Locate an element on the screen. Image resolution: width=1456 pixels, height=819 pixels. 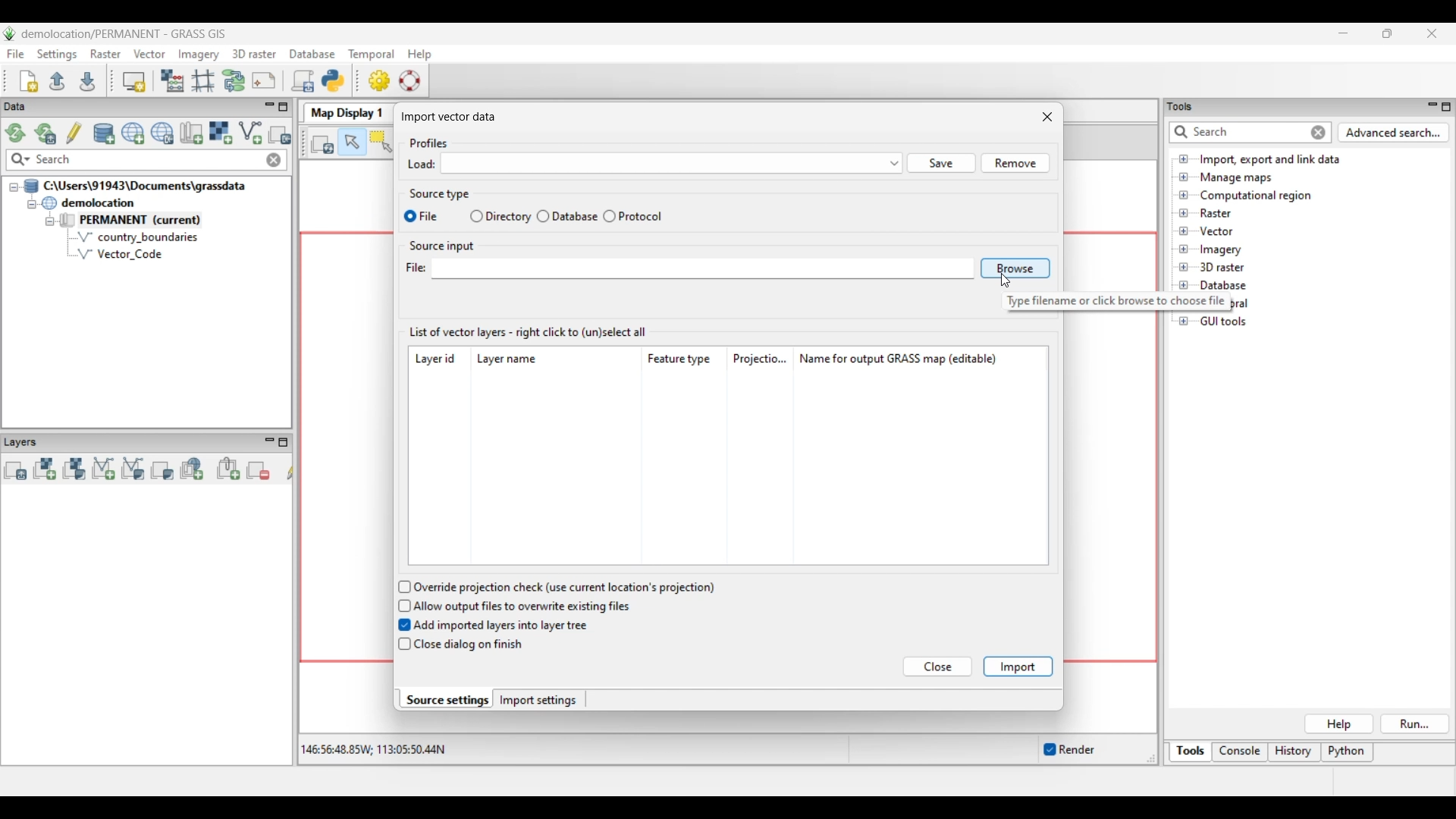
Close input made to quick search is located at coordinates (274, 160).